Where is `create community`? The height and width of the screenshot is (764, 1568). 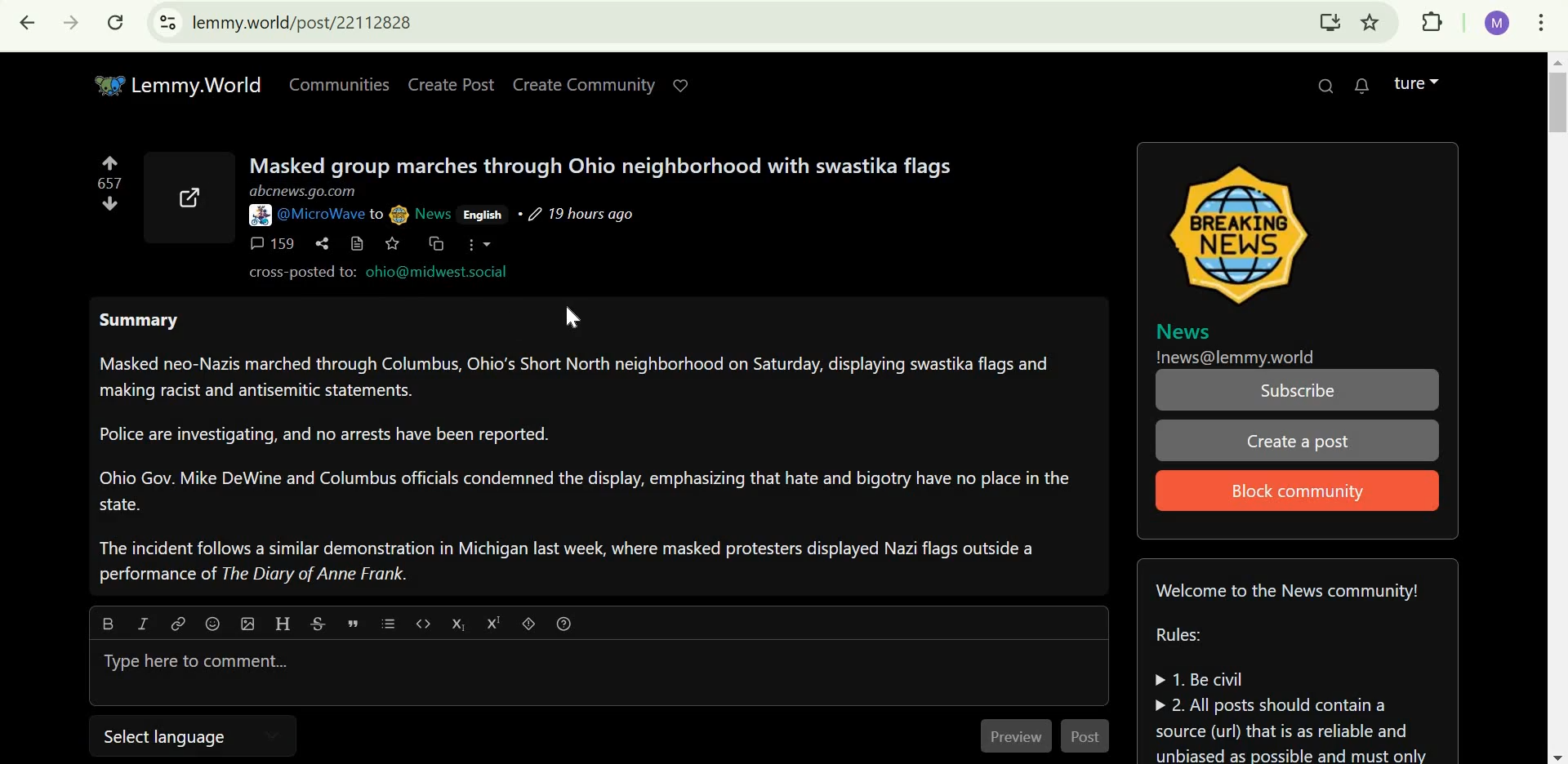
create community is located at coordinates (581, 84).